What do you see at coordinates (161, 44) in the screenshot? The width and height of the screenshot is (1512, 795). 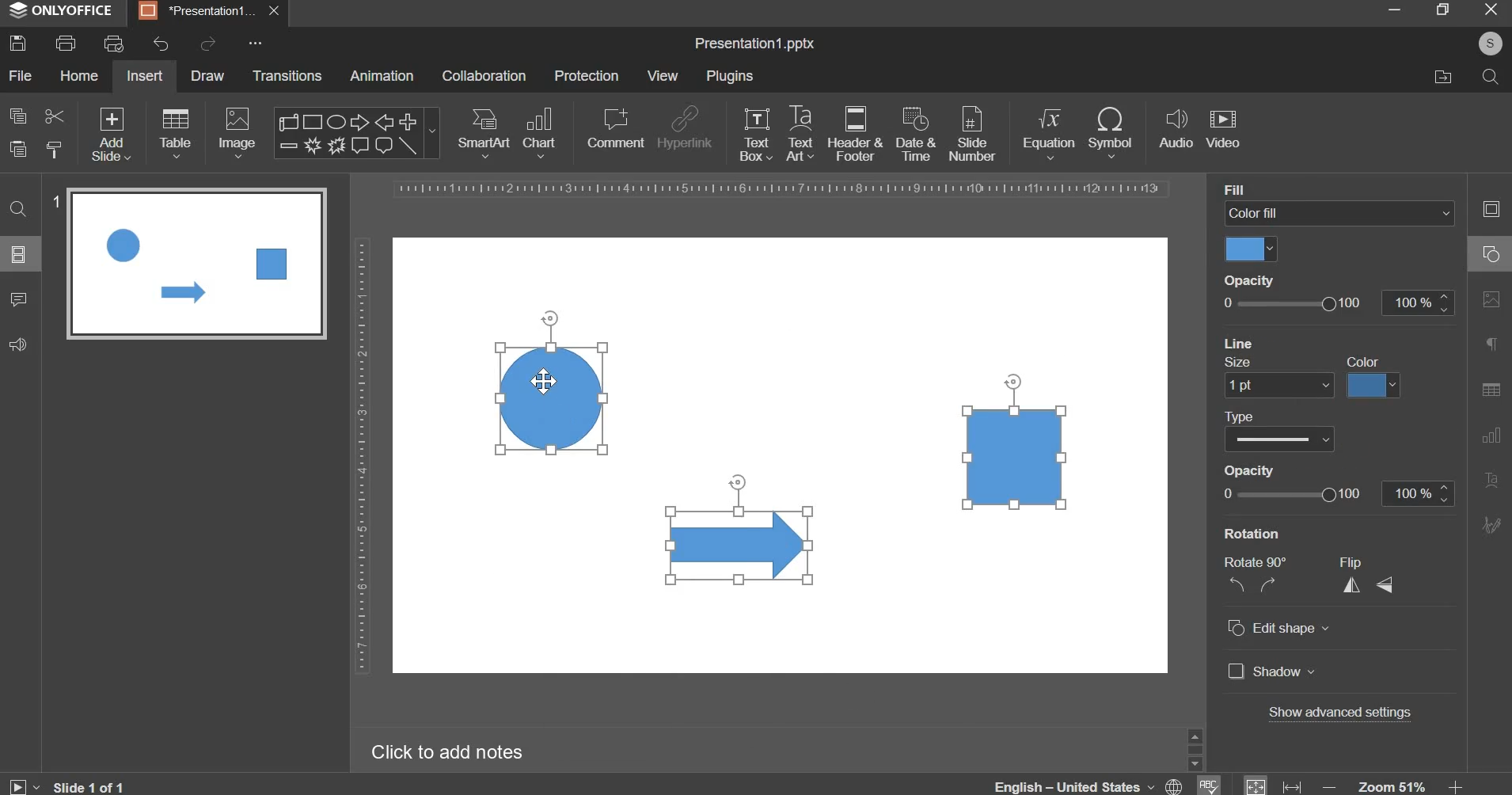 I see `undo` at bounding box center [161, 44].